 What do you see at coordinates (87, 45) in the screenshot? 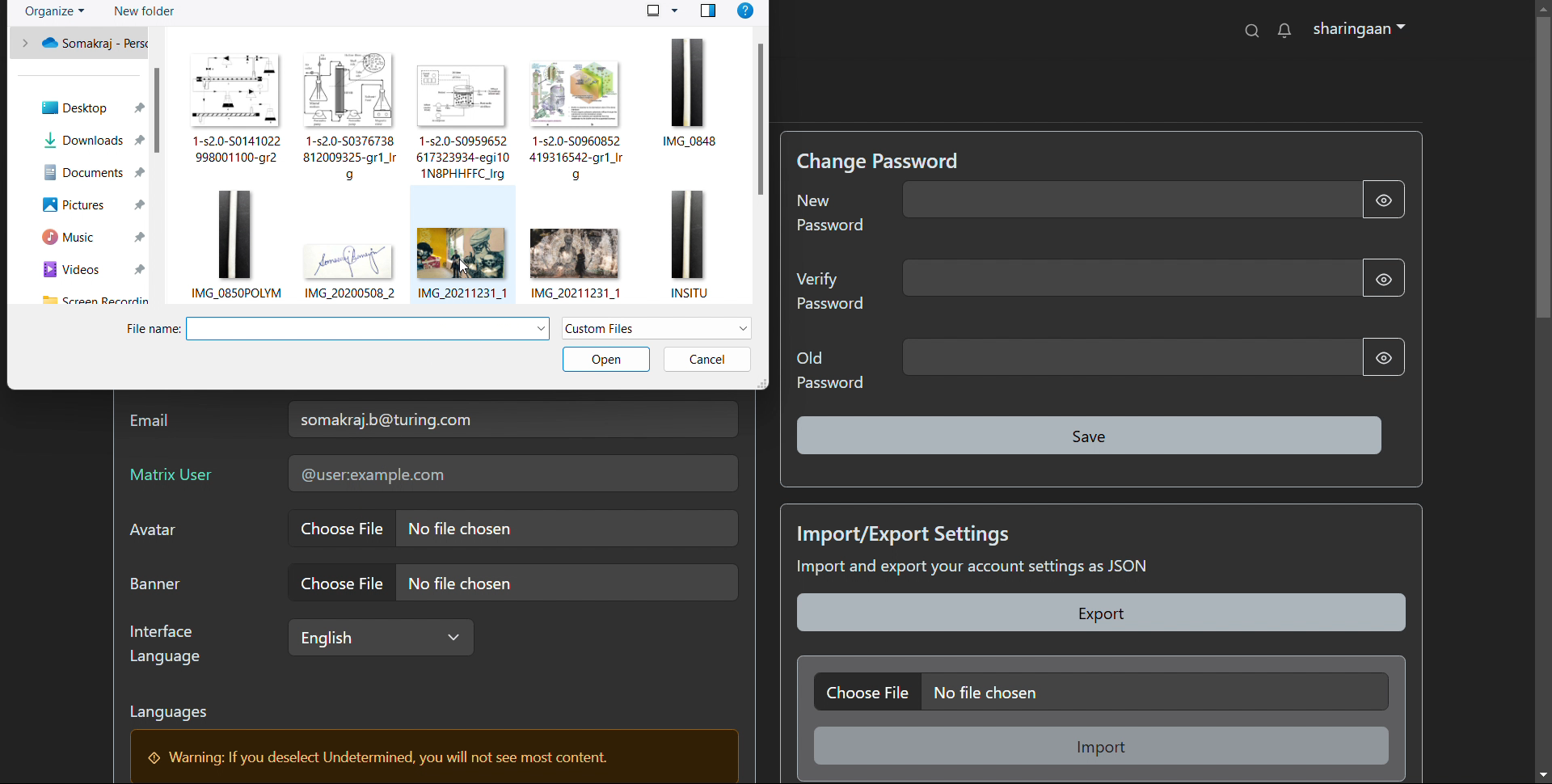
I see `Somakraj - Pers` at bounding box center [87, 45].